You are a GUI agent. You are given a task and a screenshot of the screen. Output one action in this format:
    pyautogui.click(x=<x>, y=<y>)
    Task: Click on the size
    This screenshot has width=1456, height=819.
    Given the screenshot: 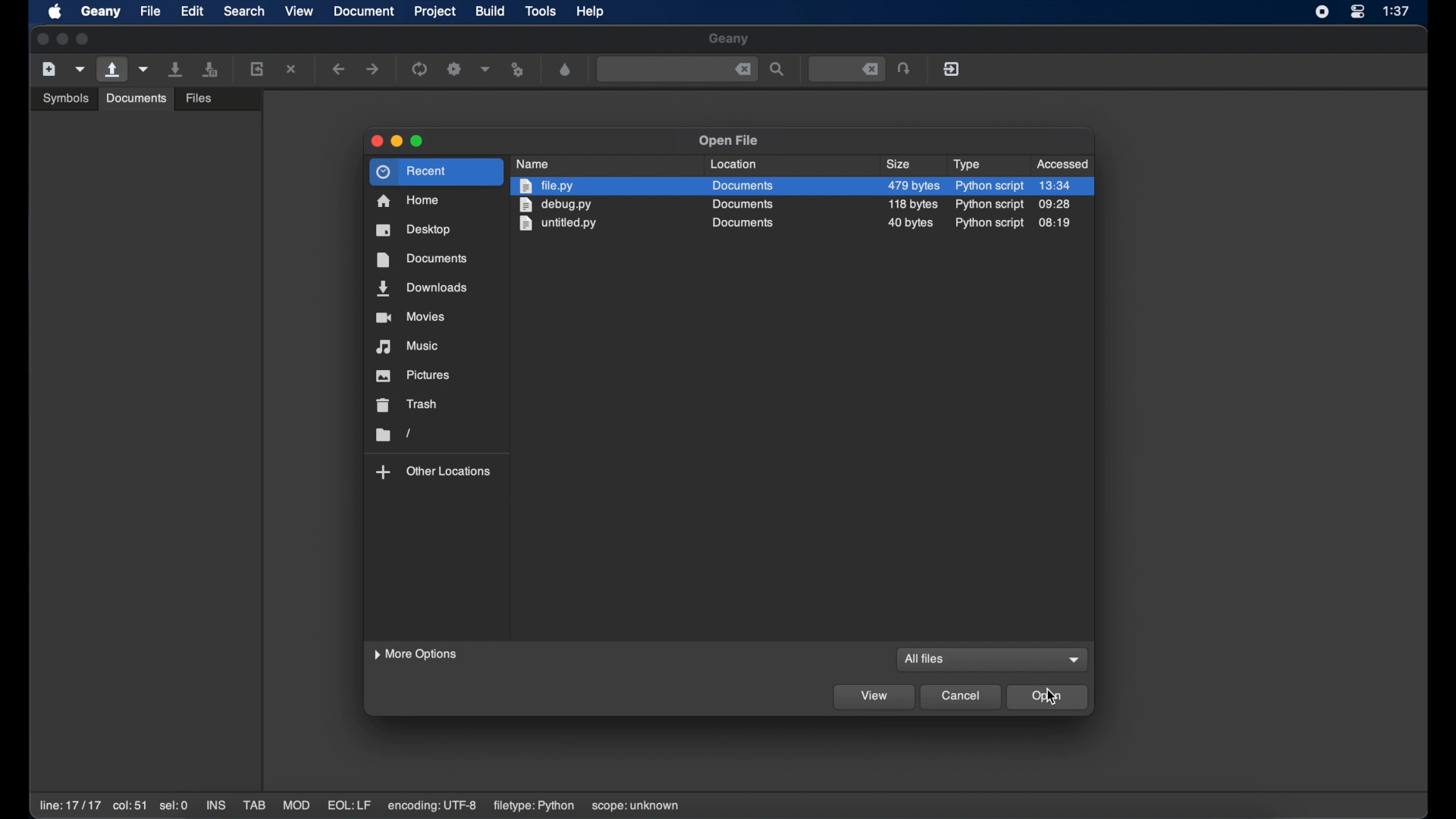 What is the action you would take?
    pyautogui.click(x=900, y=165)
    